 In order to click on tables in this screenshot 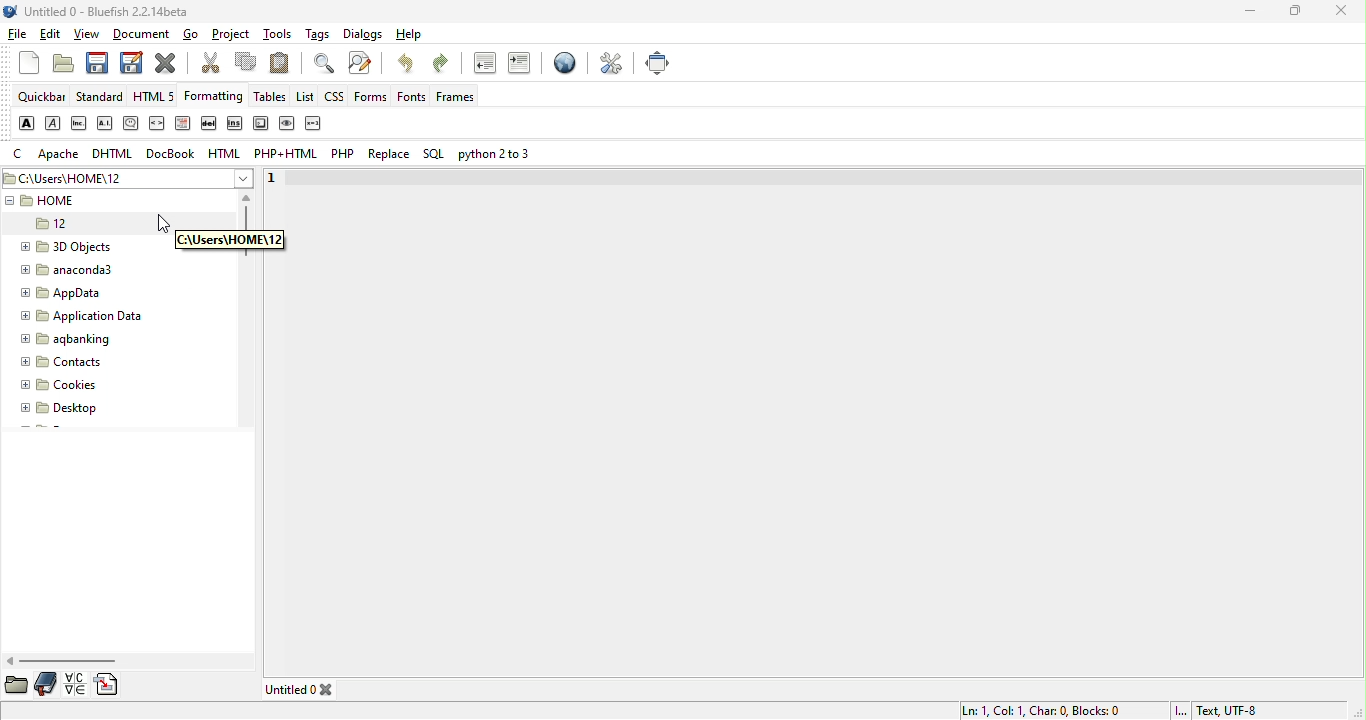, I will do `click(271, 98)`.